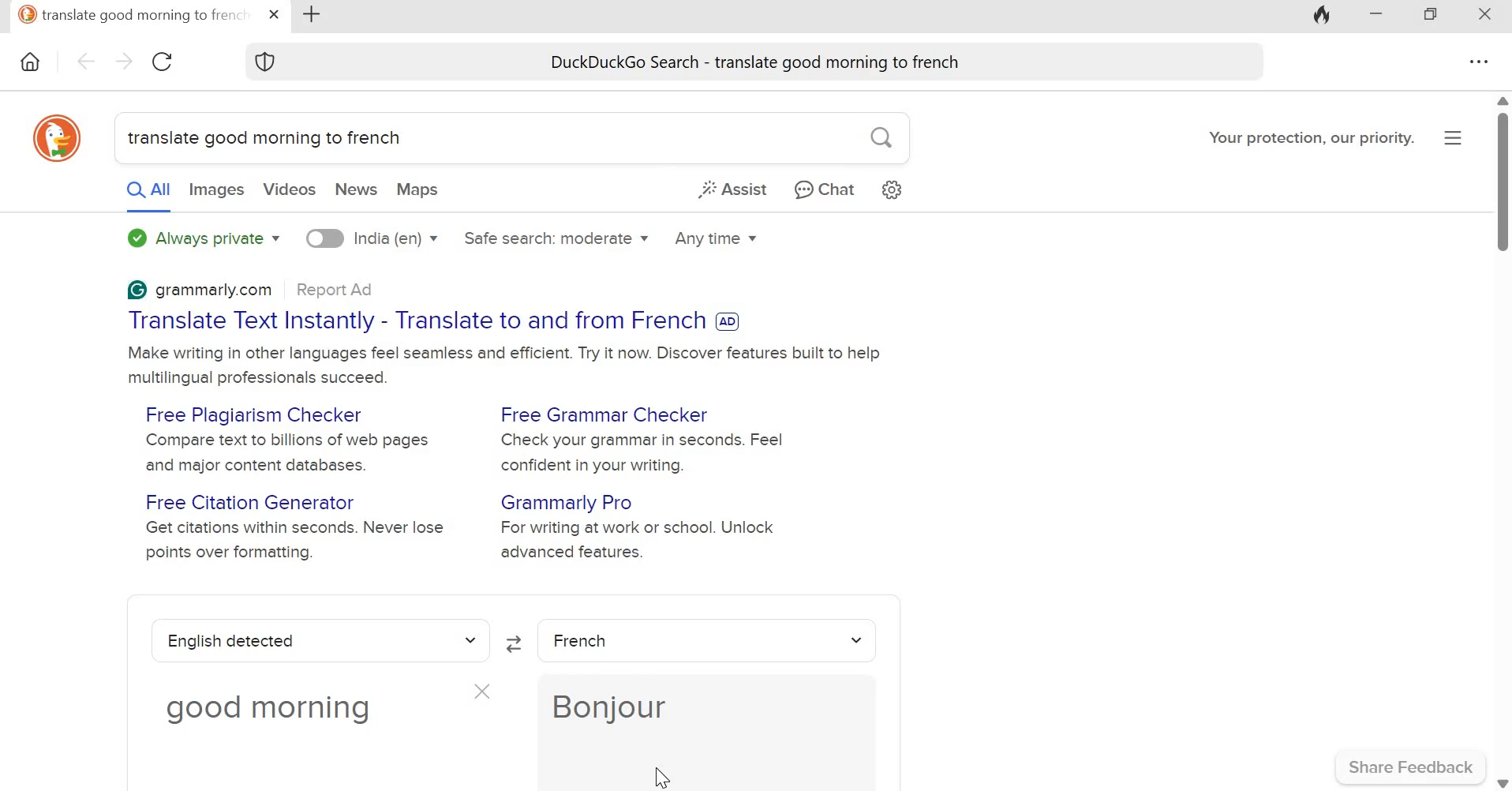 This screenshot has height=791, width=1512. Describe the element at coordinates (511, 365) in the screenshot. I see `Make writing in other languages feel seamless and efficient. Try it now. Discover features built to help multilingual professionals succeed.` at that location.